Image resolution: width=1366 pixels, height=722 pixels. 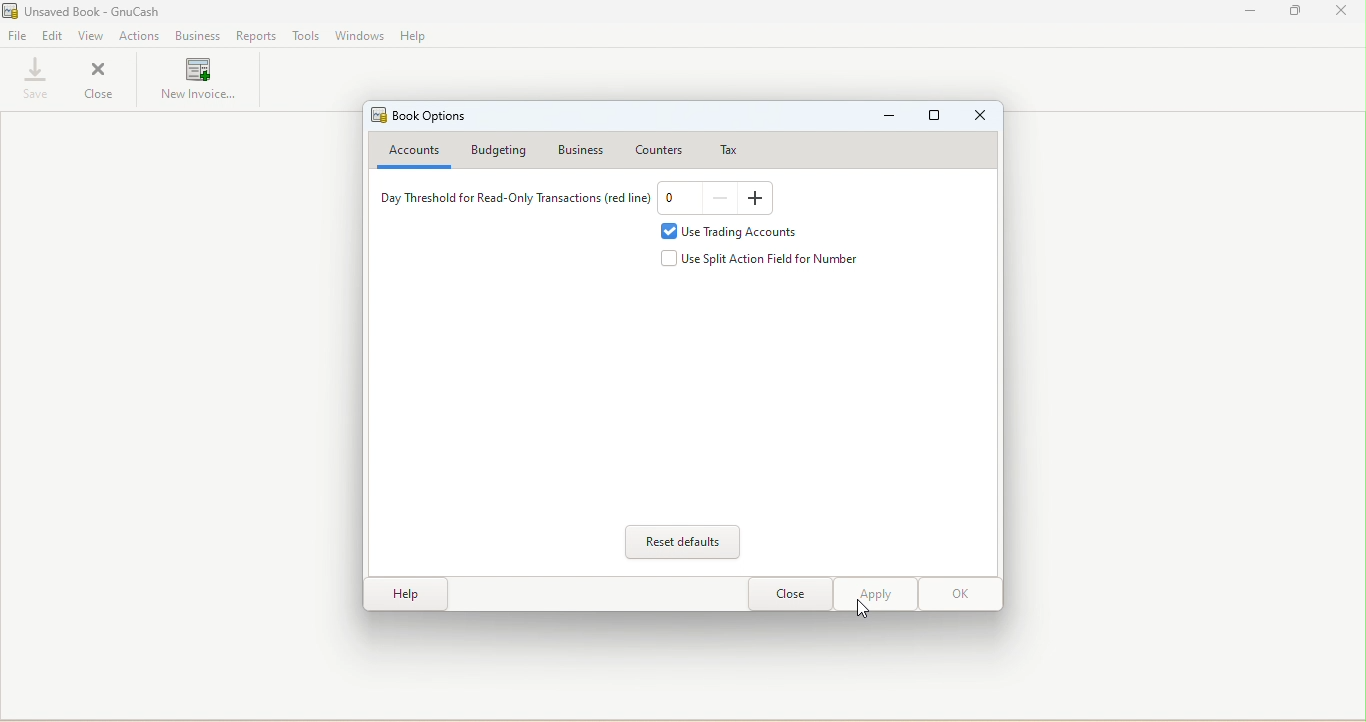 What do you see at coordinates (423, 116) in the screenshot?
I see `Book options` at bounding box center [423, 116].